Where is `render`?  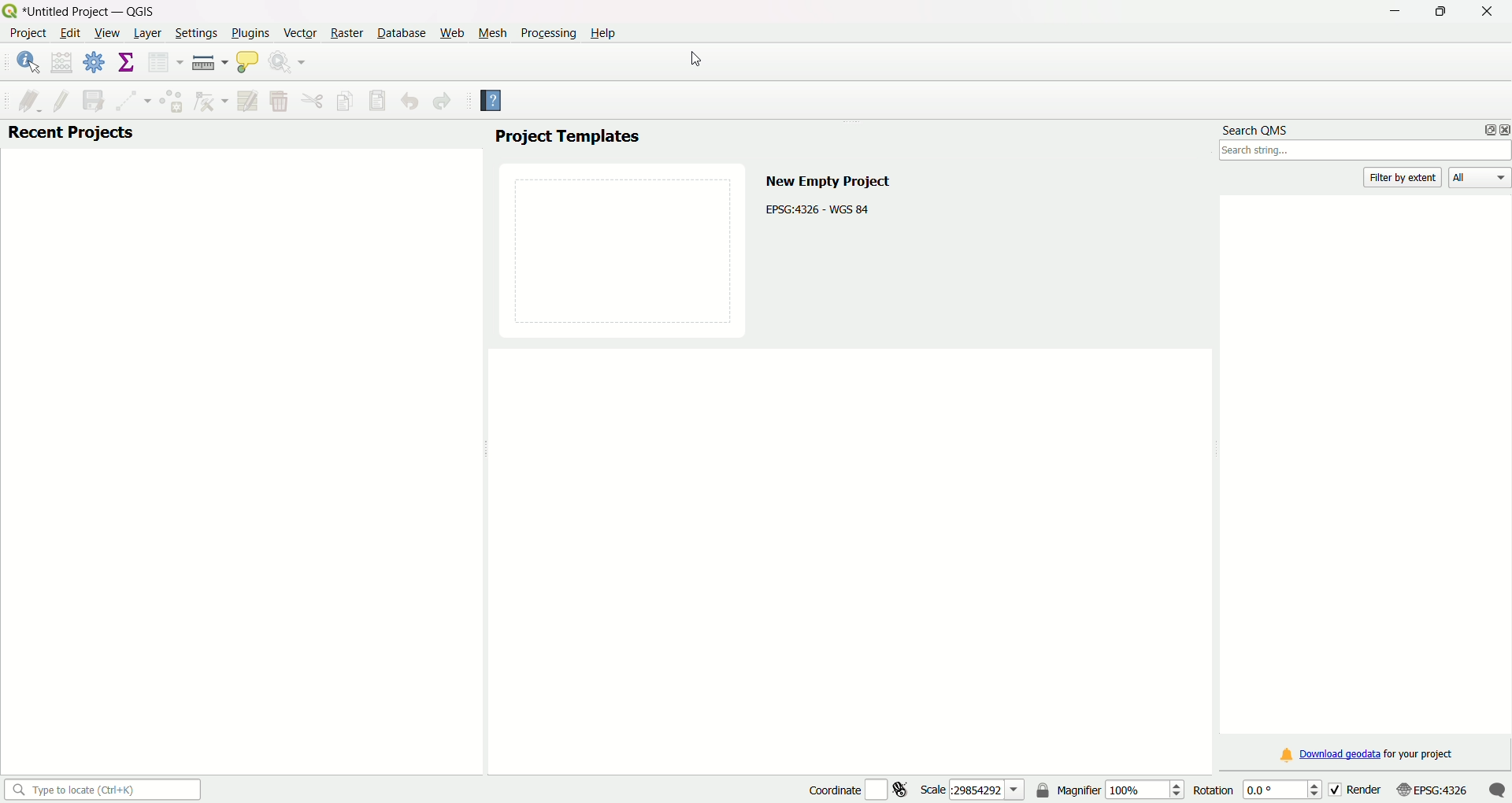 render is located at coordinates (1354, 788).